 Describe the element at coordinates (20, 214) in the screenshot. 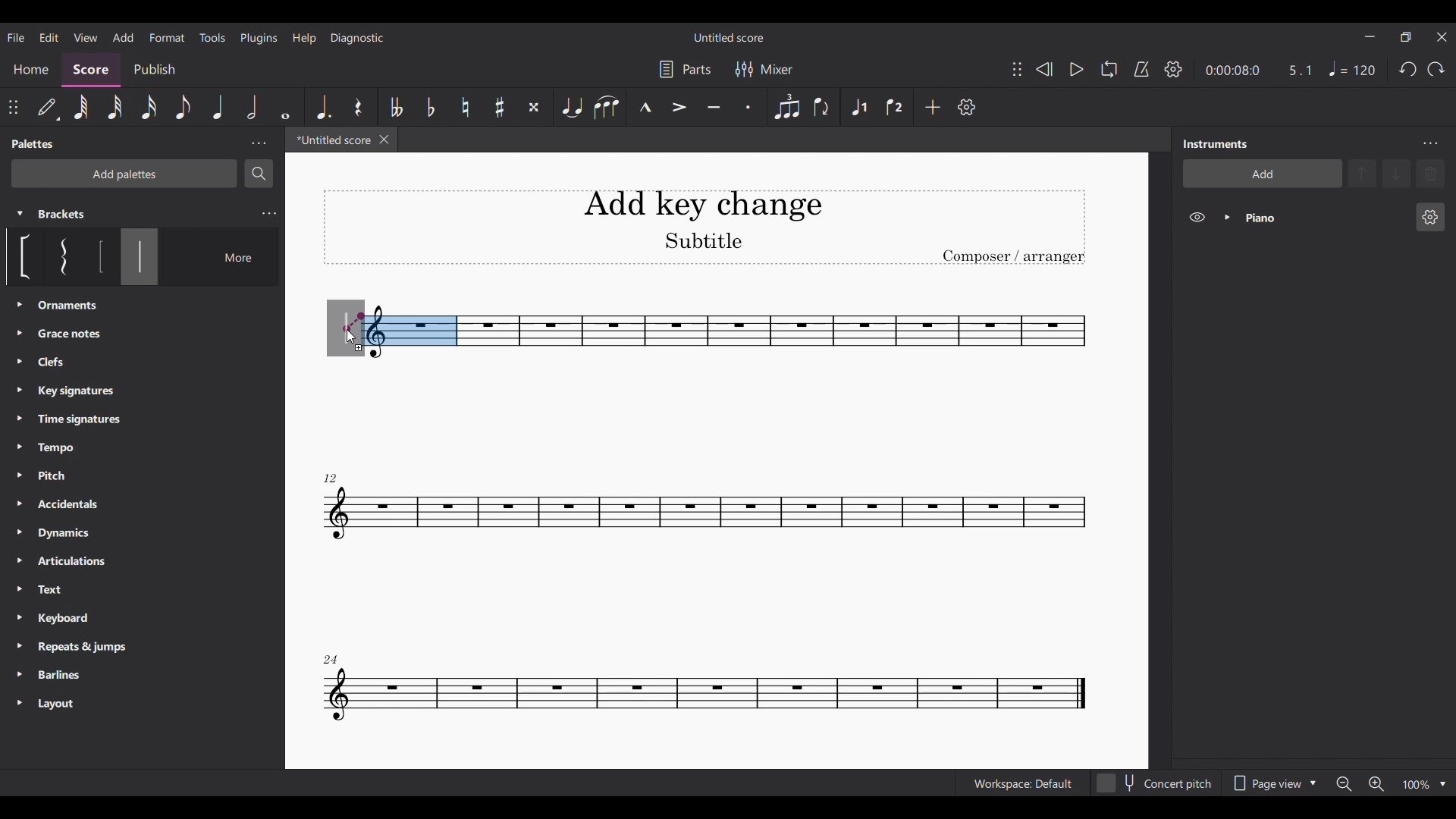

I see `Collapse Brackets` at that location.